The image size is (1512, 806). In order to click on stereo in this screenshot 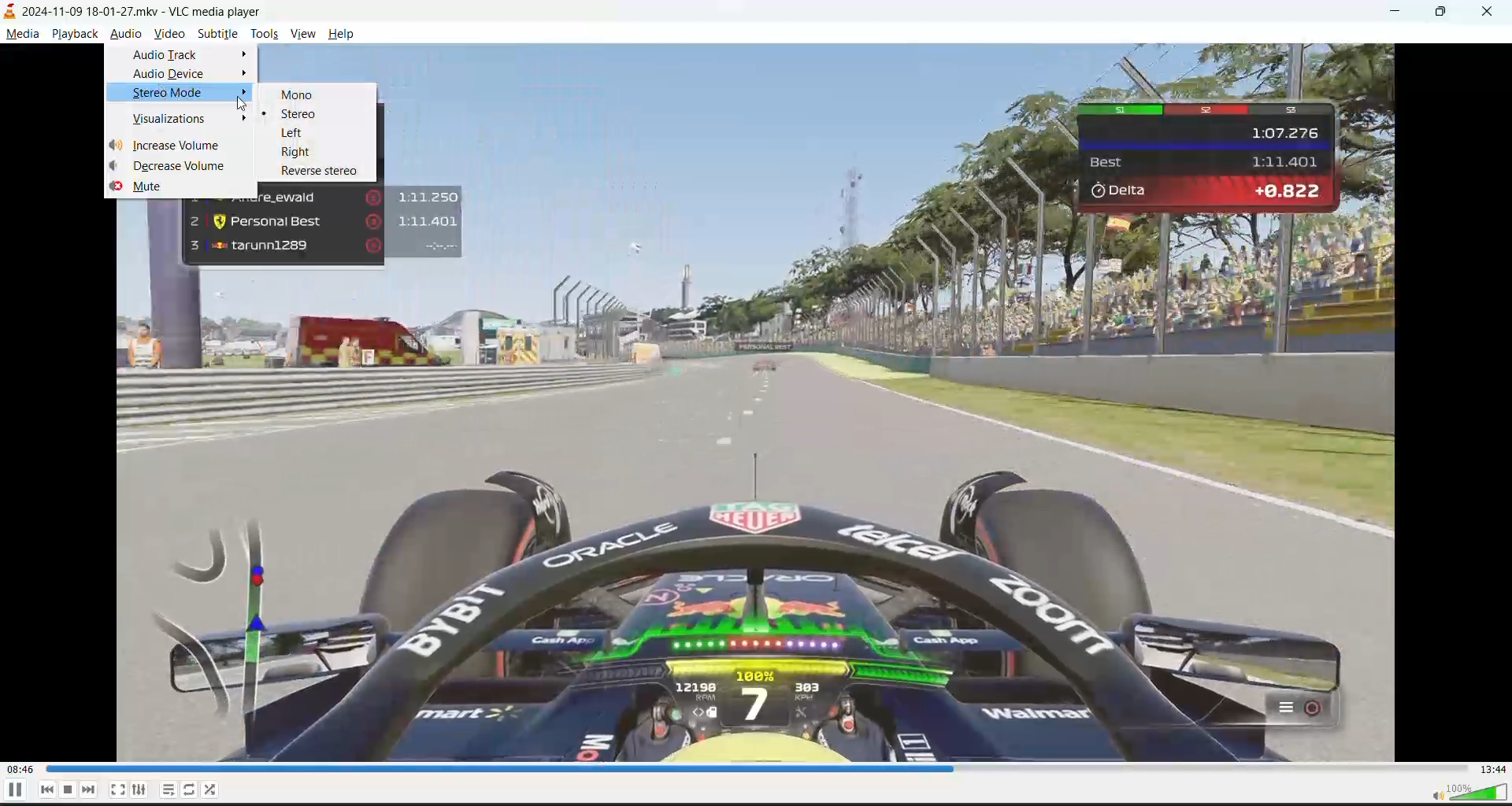, I will do `click(315, 113)`.